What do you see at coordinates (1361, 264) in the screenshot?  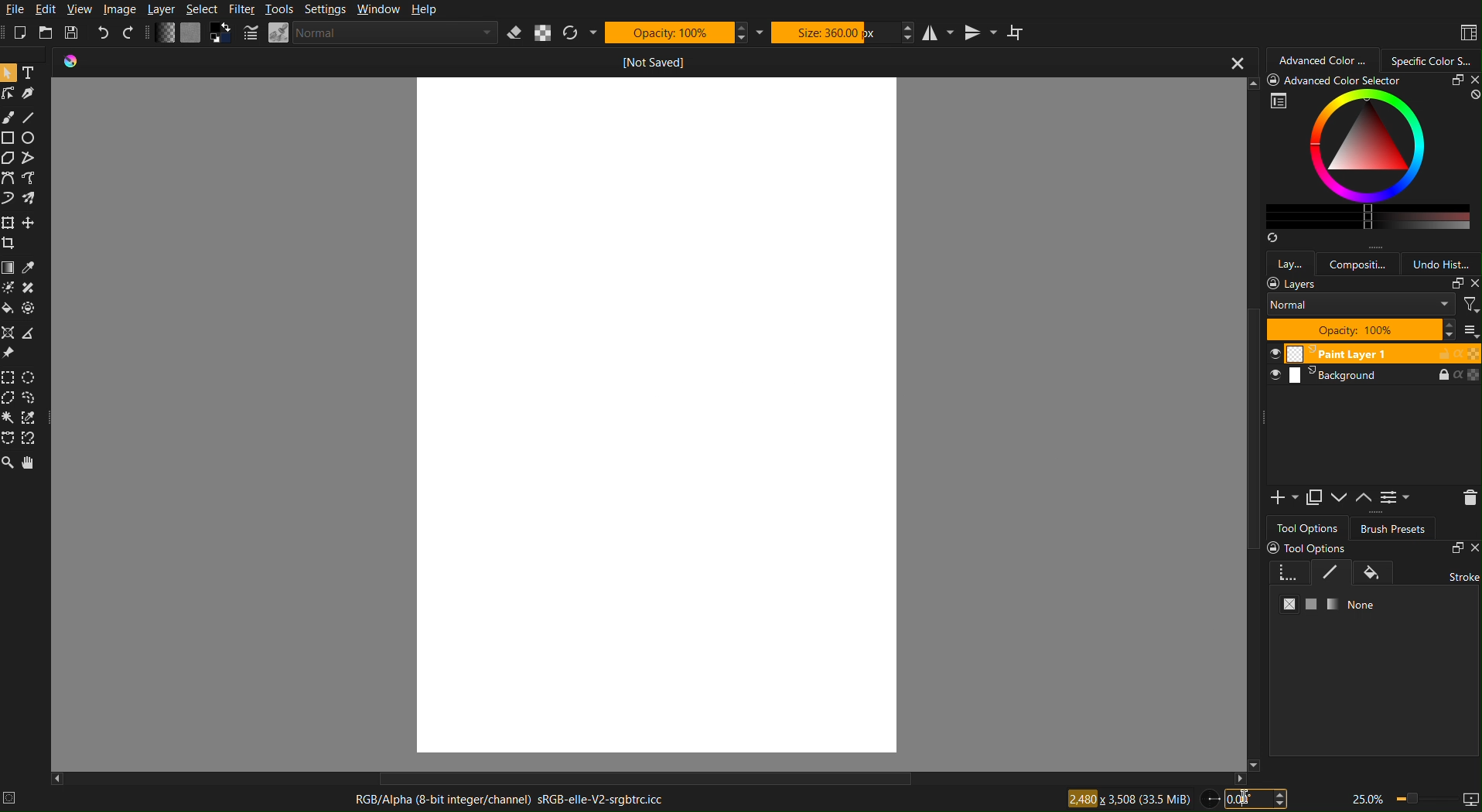 I see `compositi...` at bounding box center [1361, 264].